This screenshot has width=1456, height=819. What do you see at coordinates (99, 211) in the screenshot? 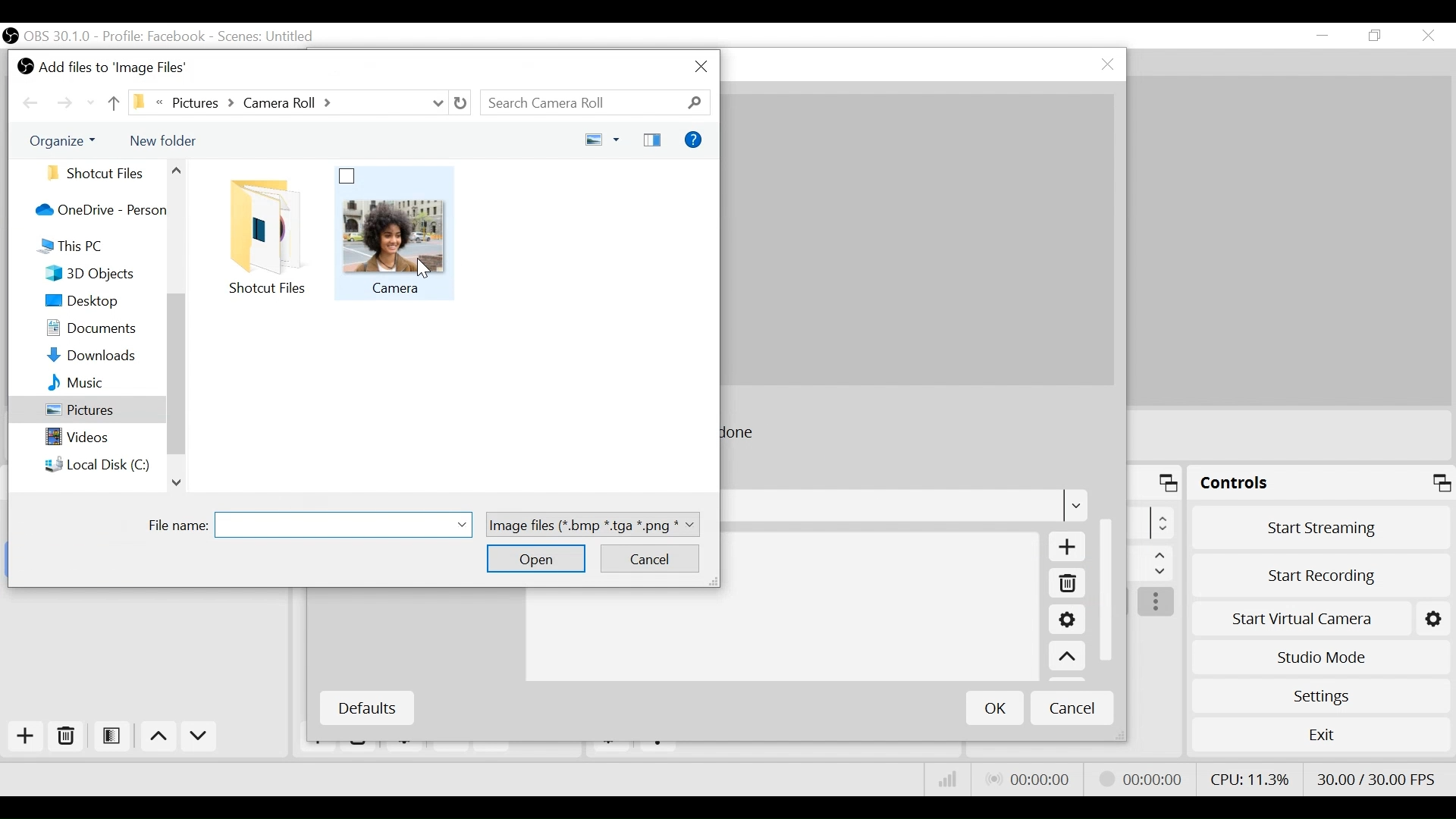
I see `OneDrive` at bounding box center [99, 211].